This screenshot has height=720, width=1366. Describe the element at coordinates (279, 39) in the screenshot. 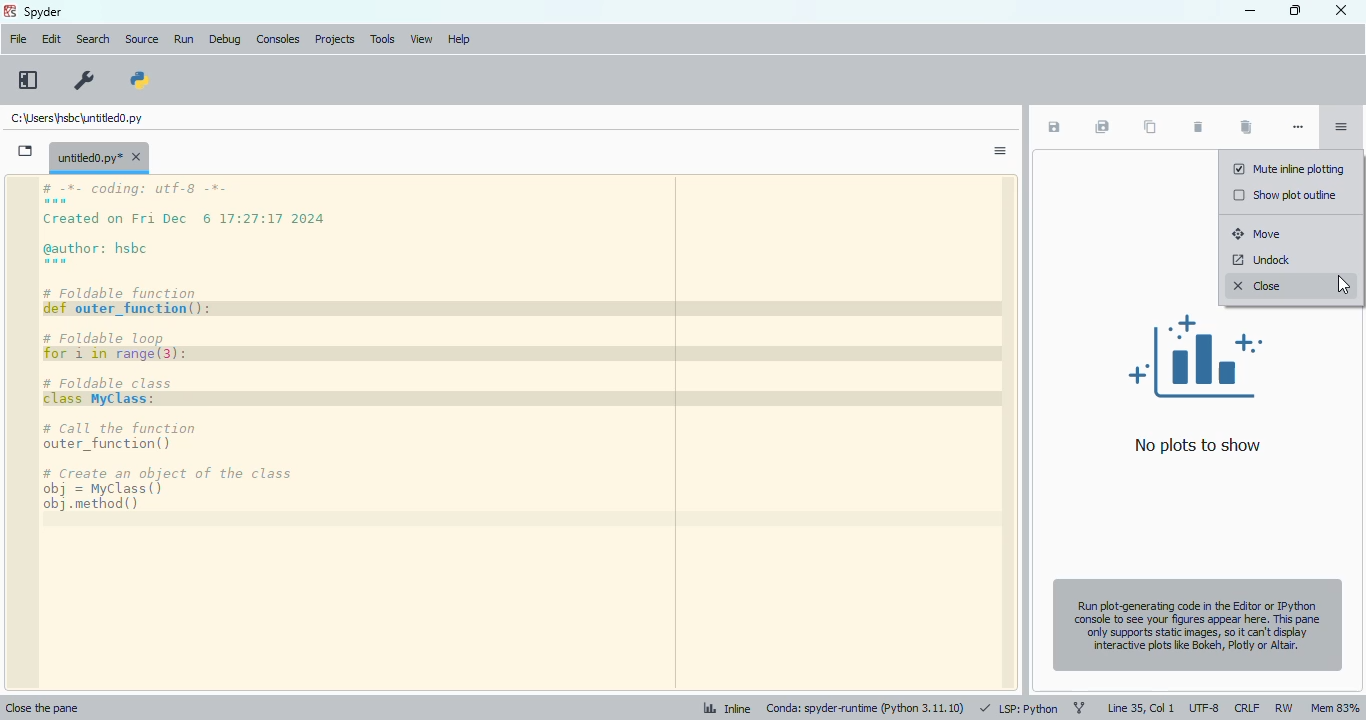

I see `consoles` at that location.